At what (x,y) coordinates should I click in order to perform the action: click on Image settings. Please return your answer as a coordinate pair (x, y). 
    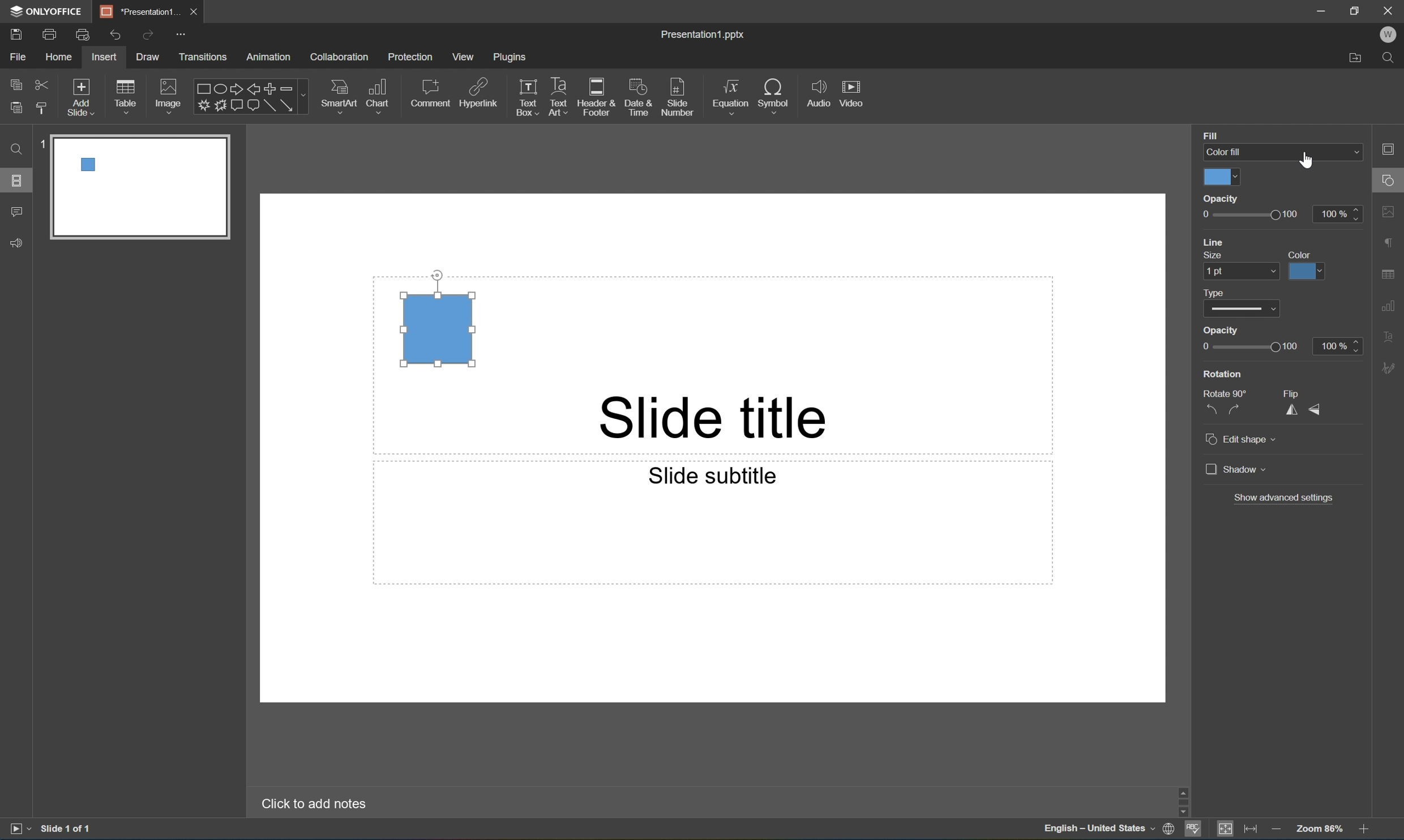
    Looking at the image, I should click on (1392, 209).